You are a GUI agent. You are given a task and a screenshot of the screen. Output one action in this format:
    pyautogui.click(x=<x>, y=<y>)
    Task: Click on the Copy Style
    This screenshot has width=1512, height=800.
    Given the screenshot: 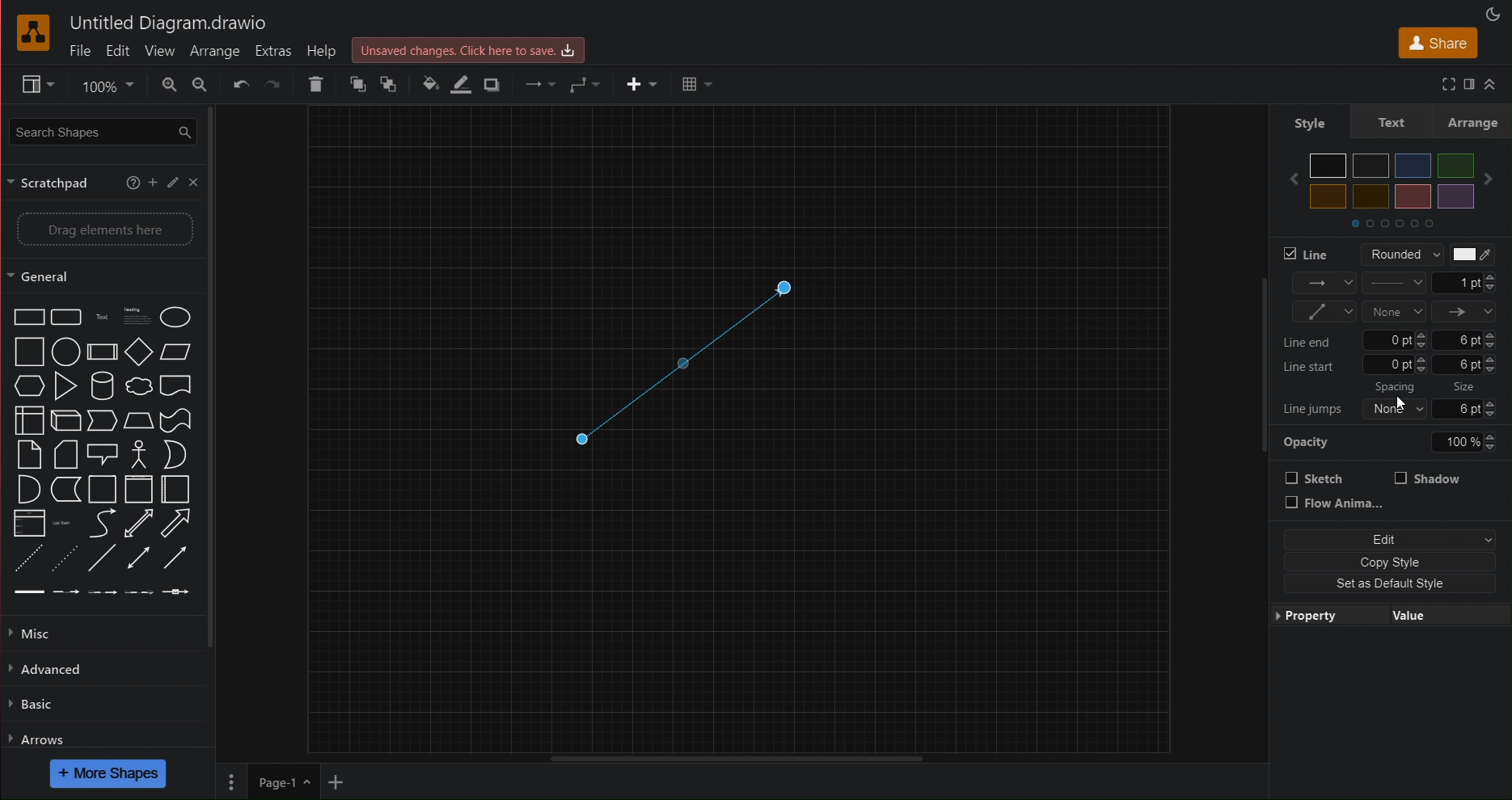 What is the action you would take?
    pyautogui.click(x=1386, y=561)
    